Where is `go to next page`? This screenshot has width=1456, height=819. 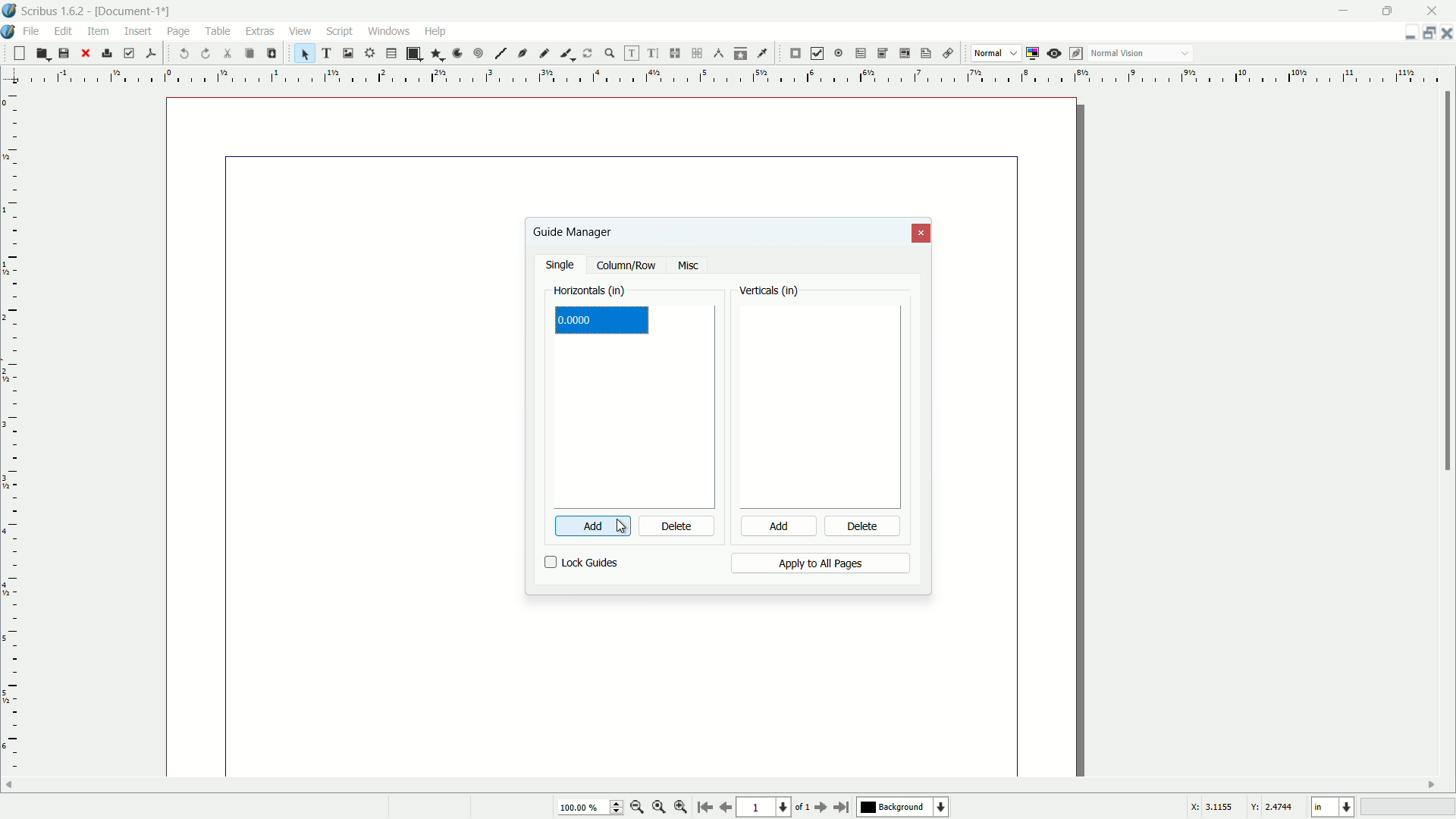 go to next page is located at coordinates (818, 808).